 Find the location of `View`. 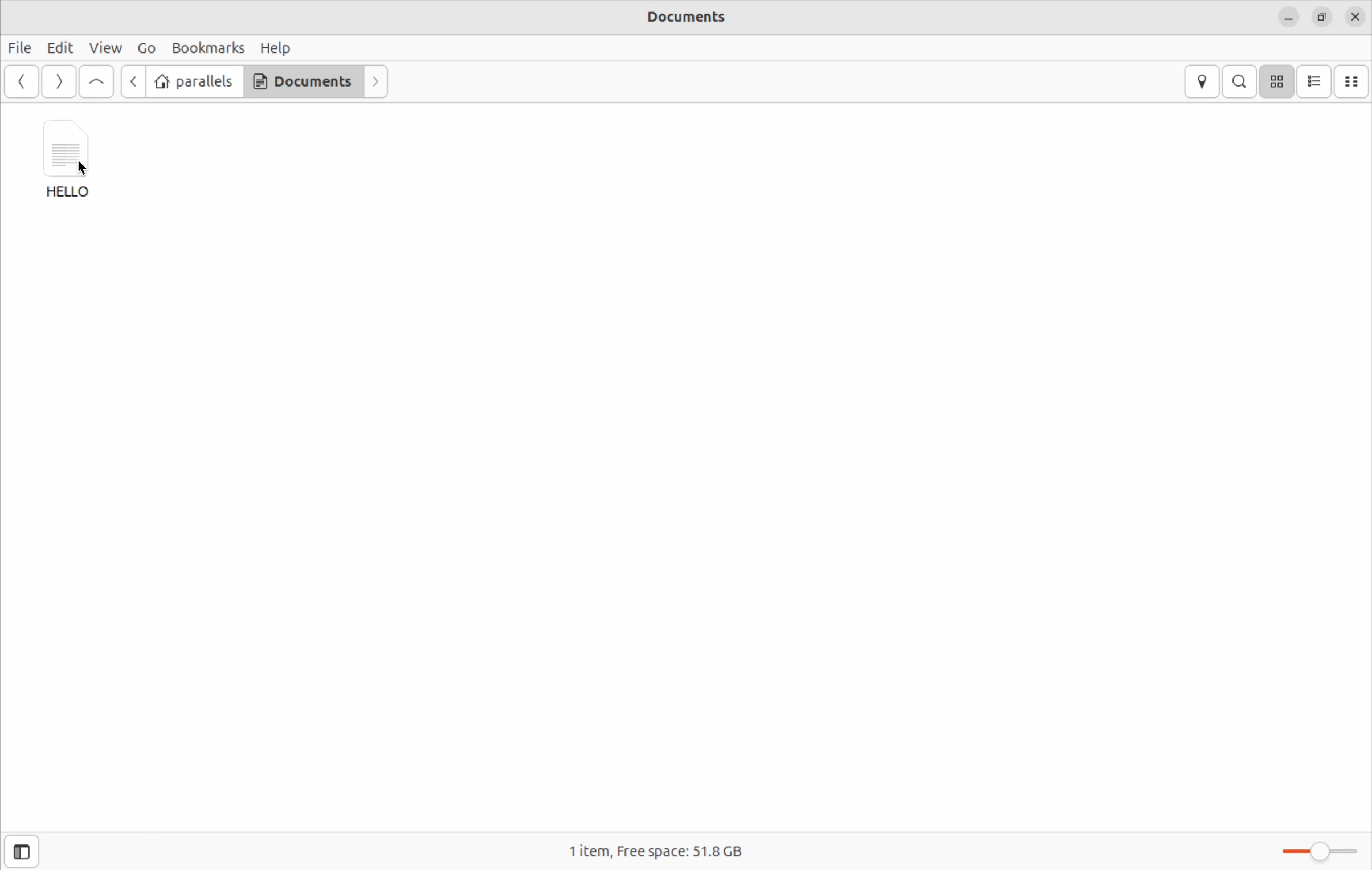

View is located at coordinates (107, 46).